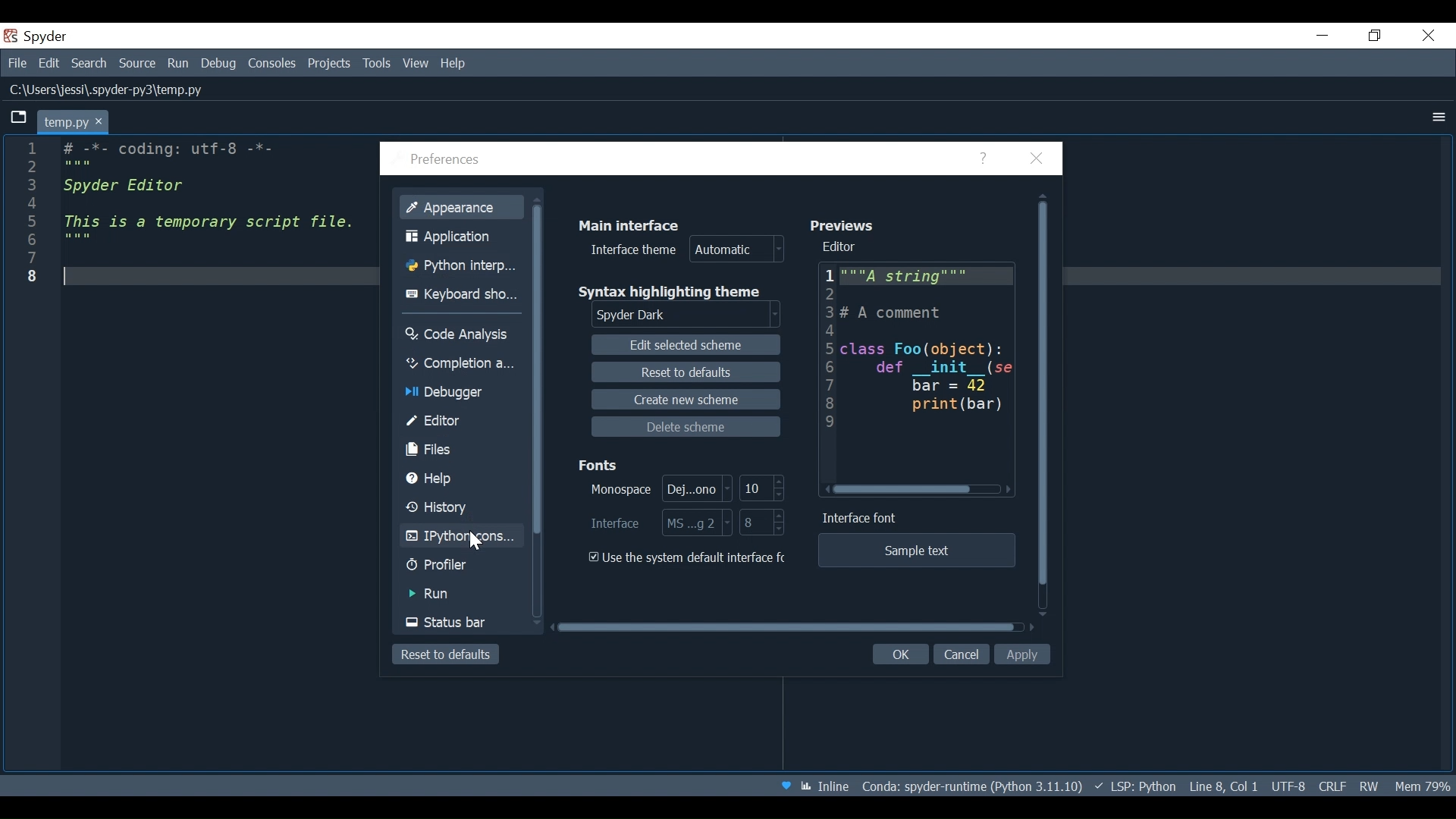 This screenshot has height=819, width=1456. What do you see at coordinates (1431, 37) in the screenshot?
I see `` at bounding box center [1431, 37].